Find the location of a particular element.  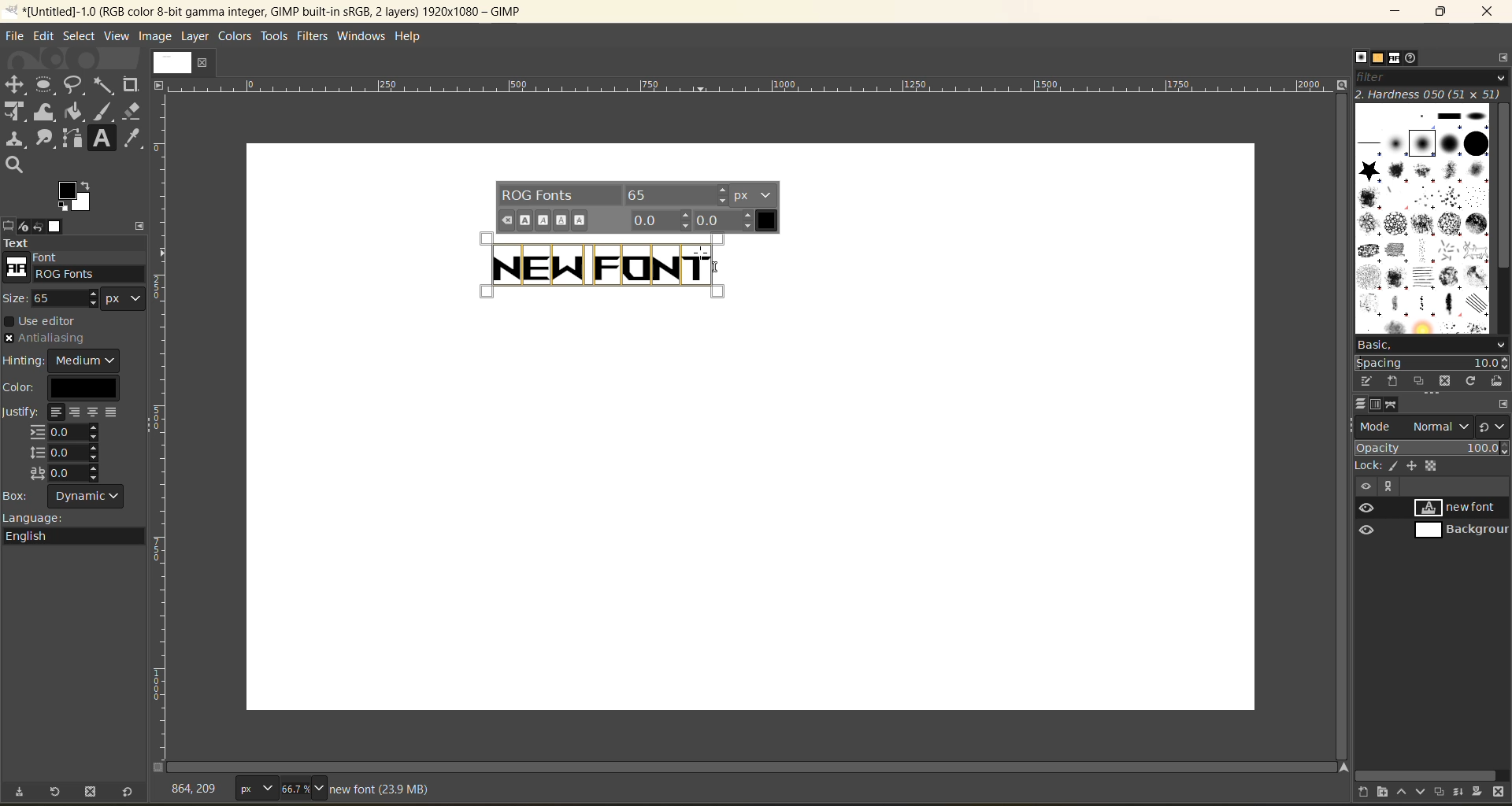

color is located at coordinates (69, 385).